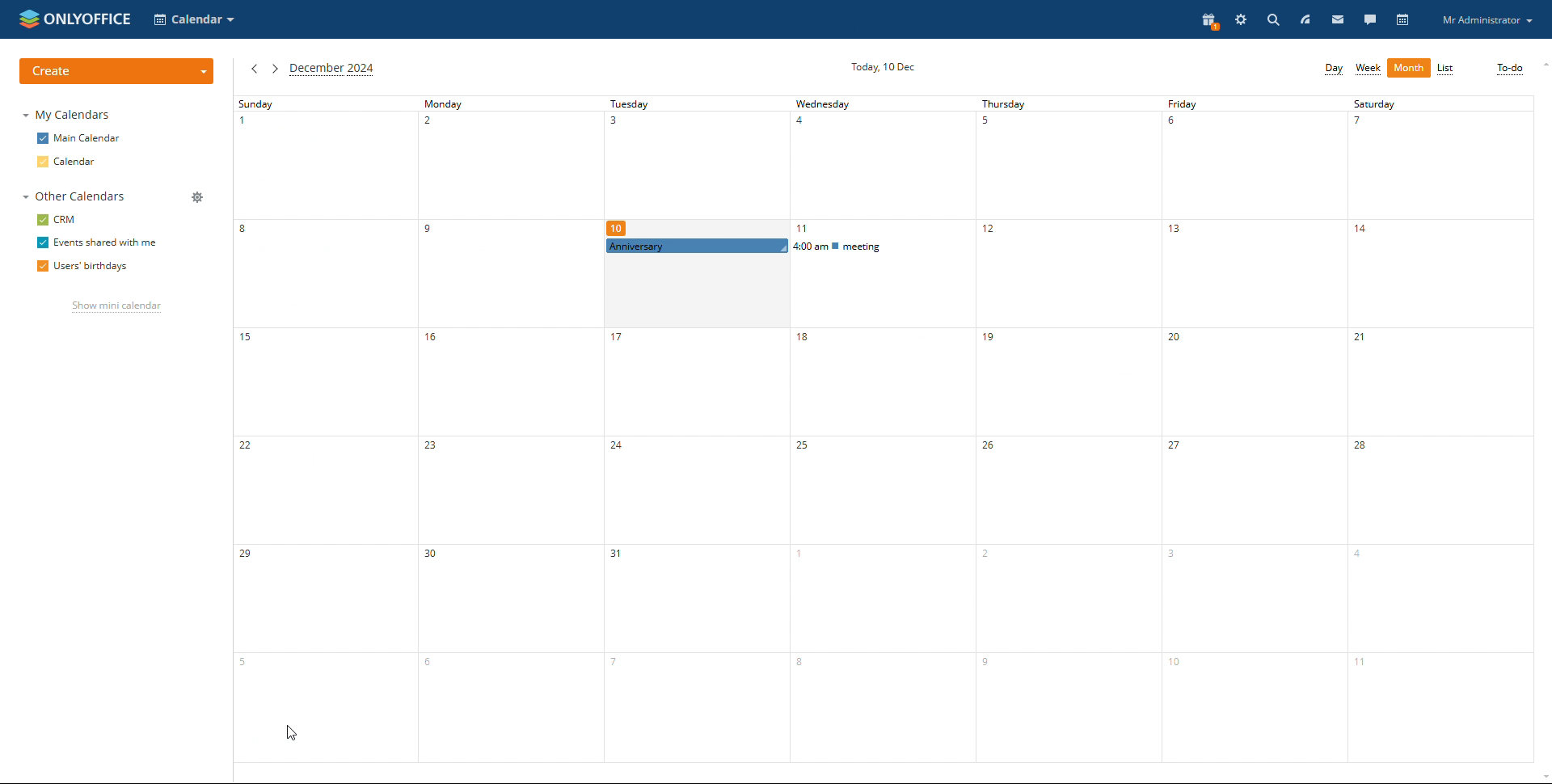  I want to click on current month, so click(332, 70).